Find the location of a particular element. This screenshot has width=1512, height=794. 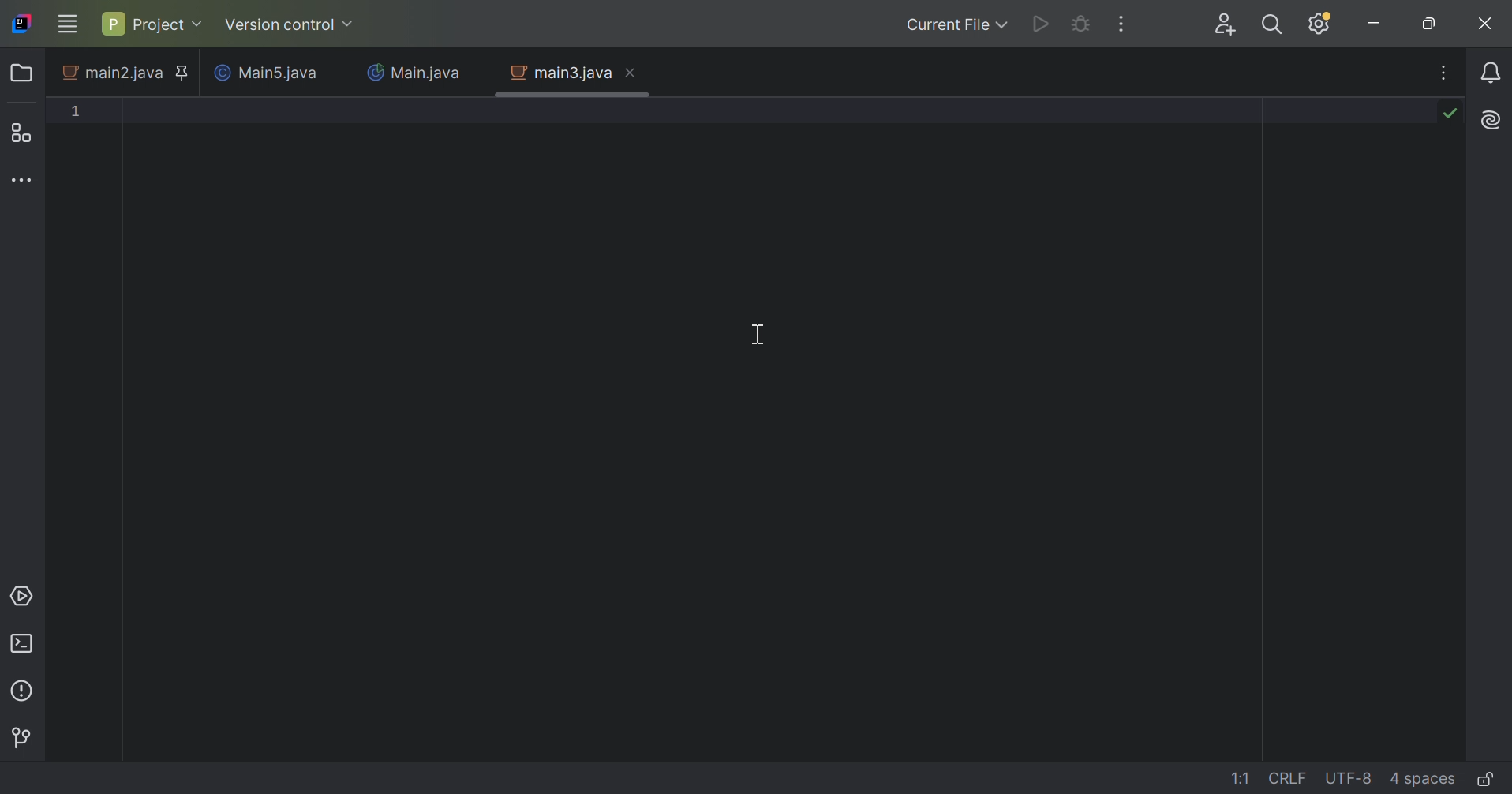

Search everywhere is located at coordinates (1225, 24).